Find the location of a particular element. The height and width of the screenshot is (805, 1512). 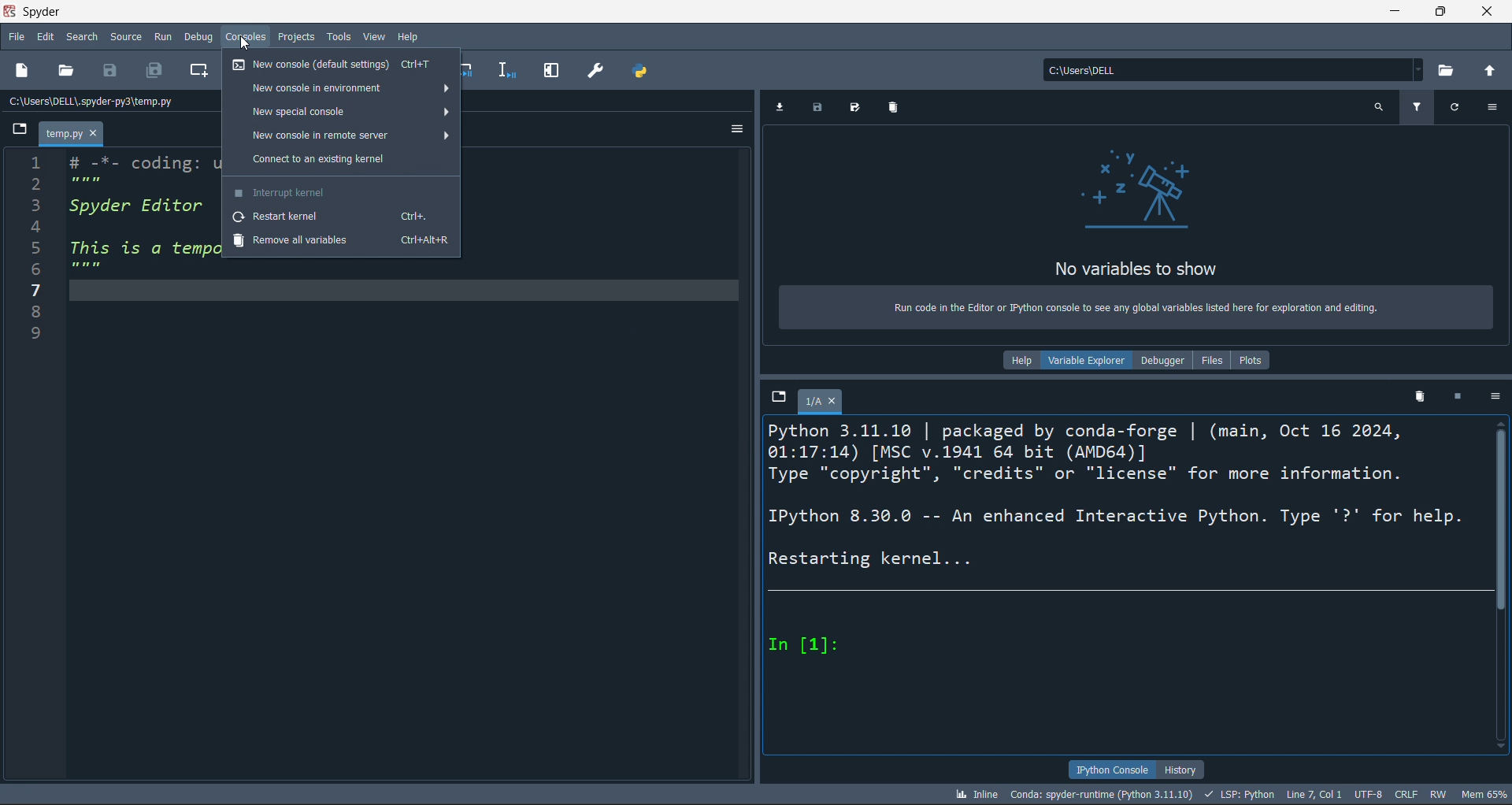

delete variables is located at coordinates (895, 109).